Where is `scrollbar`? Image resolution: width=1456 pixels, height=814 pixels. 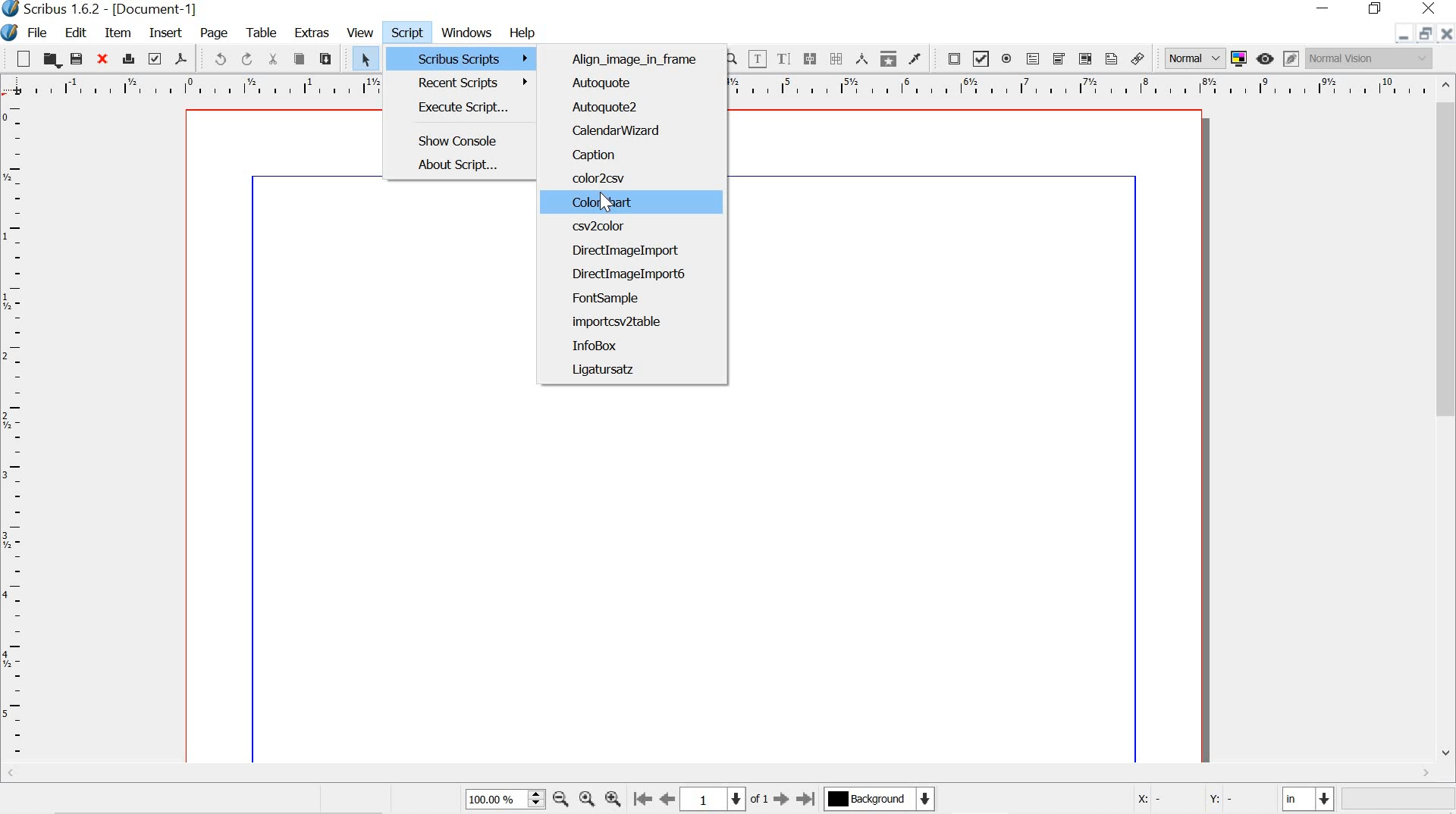
scrollbar is located at coordinates (714, 774).